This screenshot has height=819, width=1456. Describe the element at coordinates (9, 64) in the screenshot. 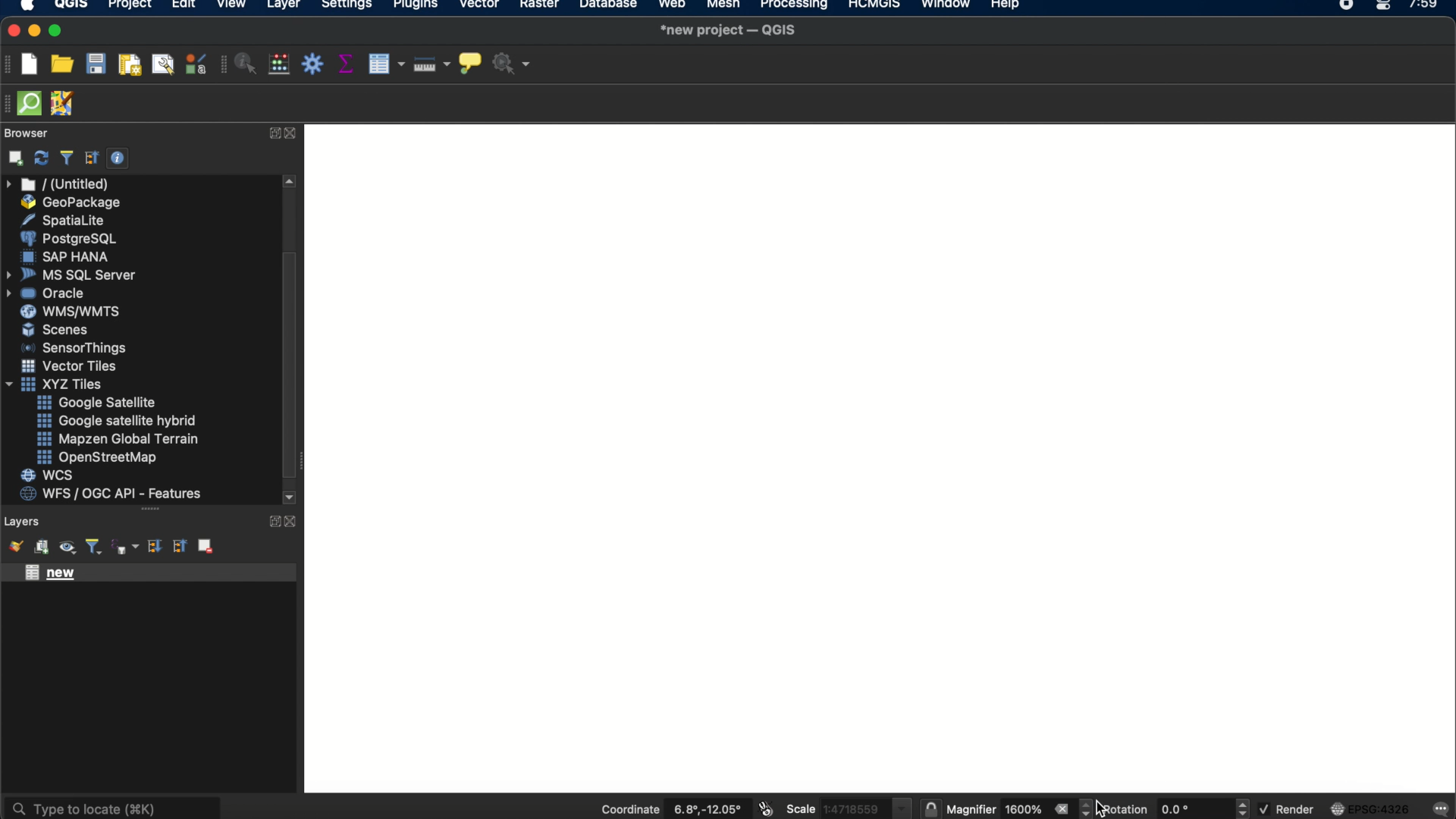

I see `project toolbar` at that location.